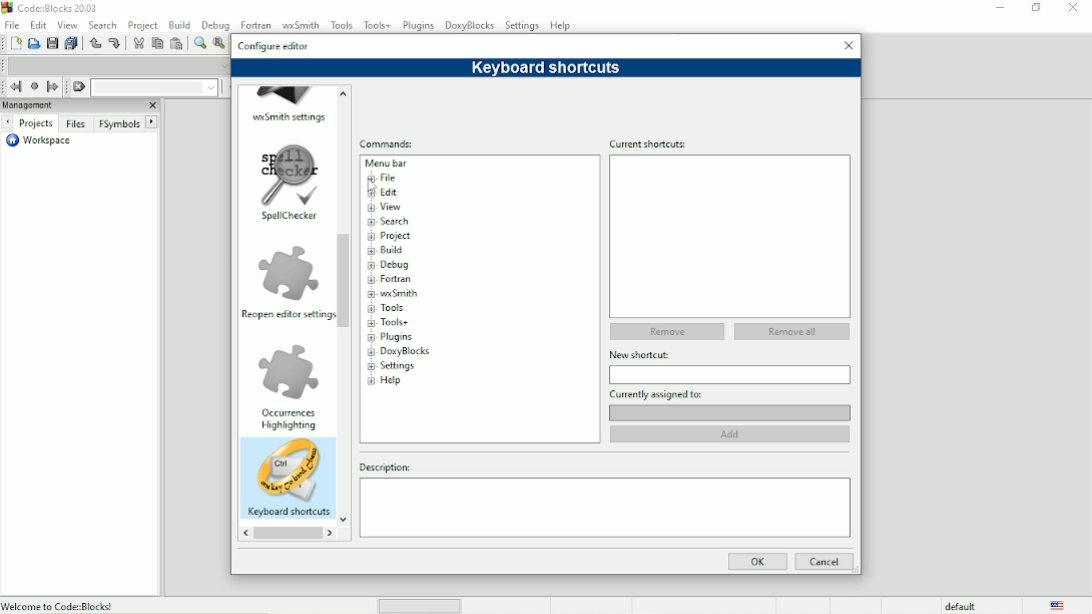 The height and width of the screenshot is (614, 1092). I want to click on Cut, so click(138, 44).